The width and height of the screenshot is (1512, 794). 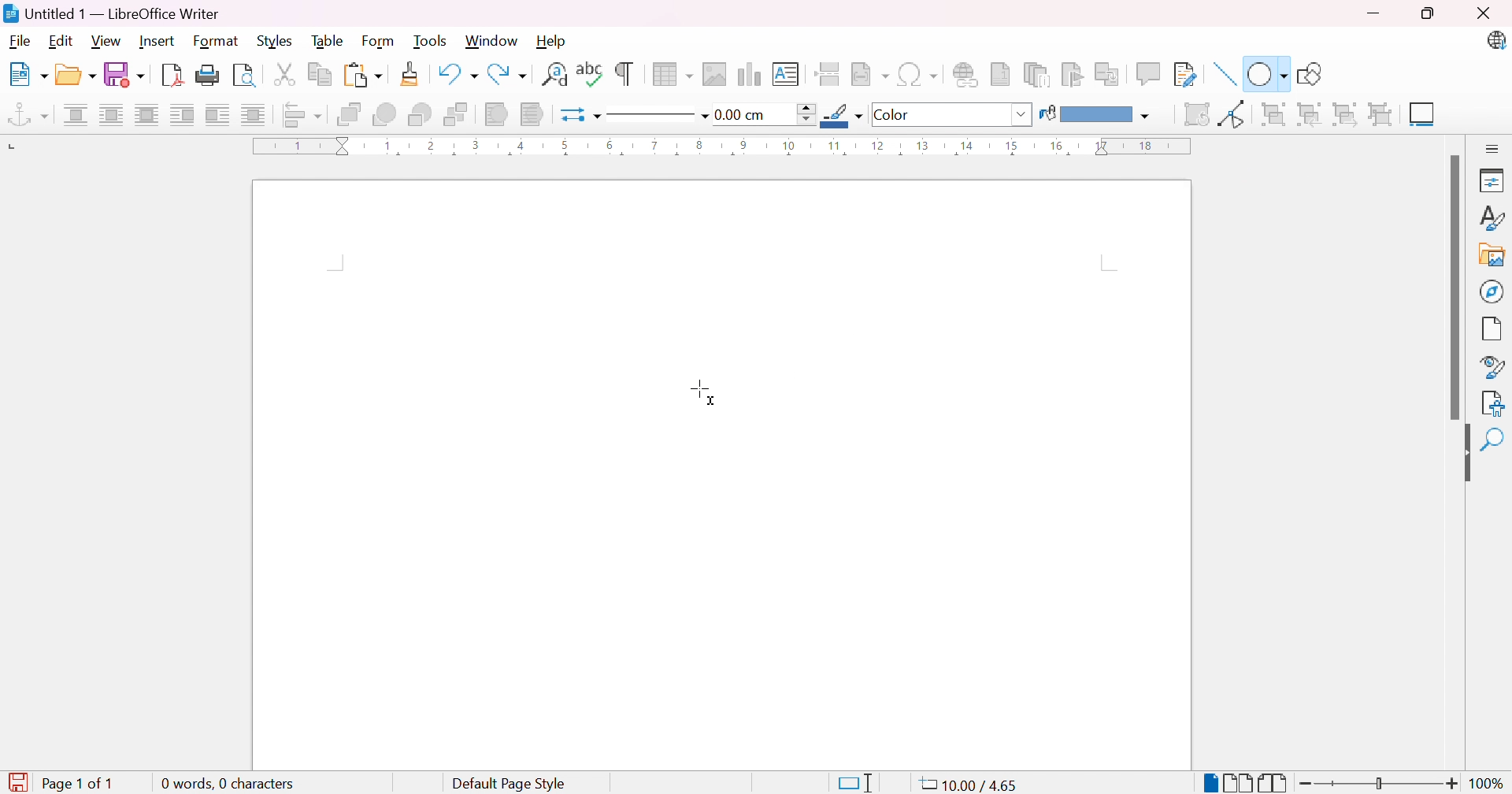 I want to click on Sidebar settings, so click(x=1493, y=149).